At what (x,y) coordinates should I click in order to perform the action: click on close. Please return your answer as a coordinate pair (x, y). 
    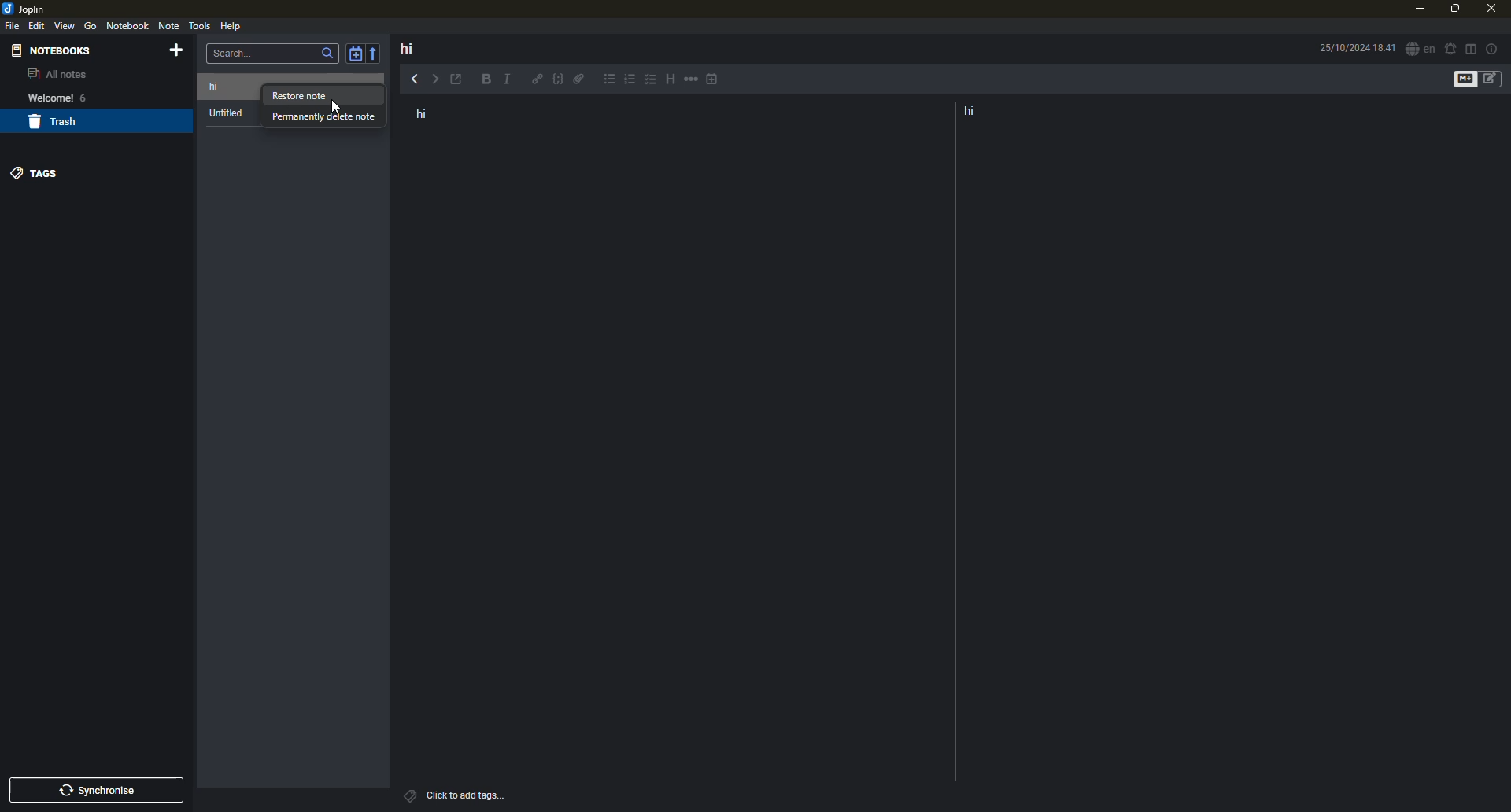
    Looking at the image, I should click on (1490, 7).